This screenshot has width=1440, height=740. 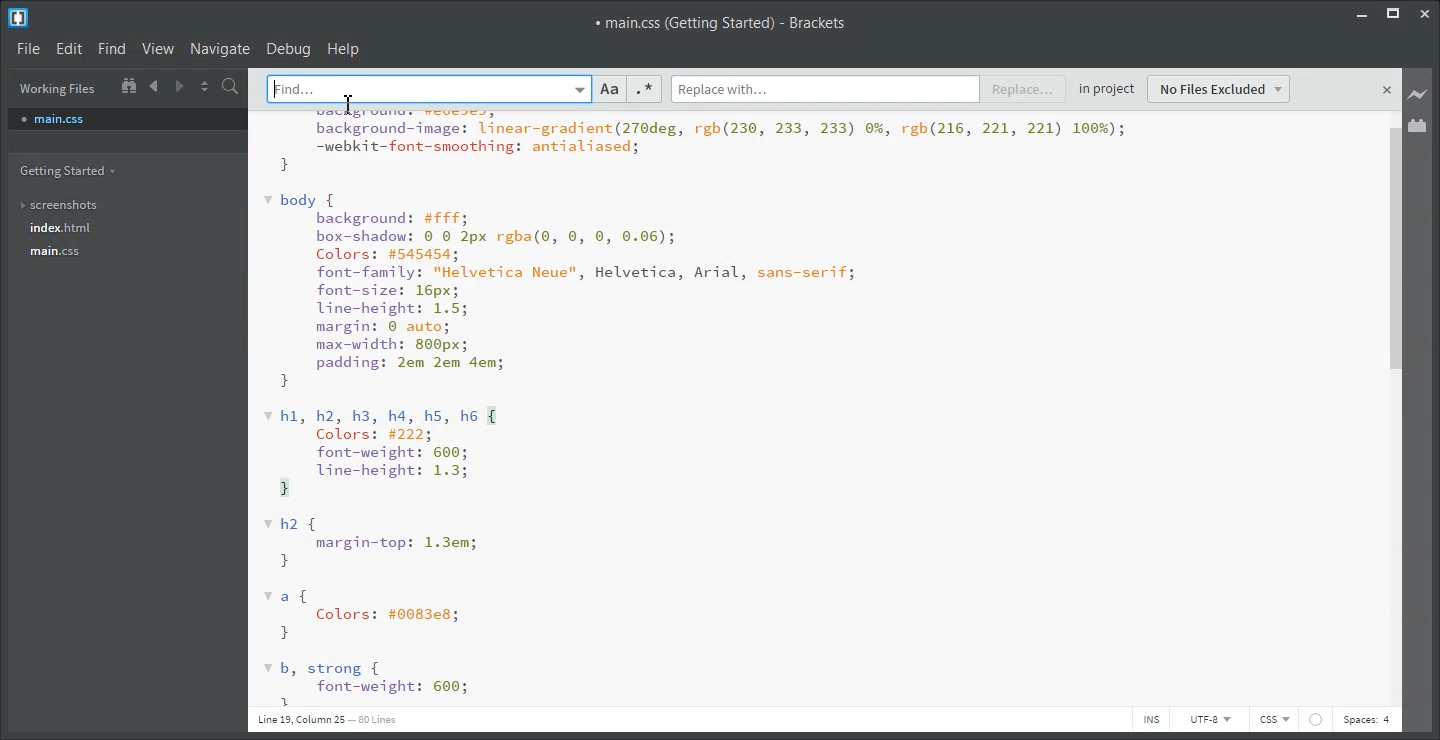 What do you see at coordinates (561, 291) in the screenshot?
I see `body {
background: #fff;
box-shadow: © 8 2px rgba(®, 0, ©, 0.06);
Colors: #545454;
font-family: "Helvetica Neue", Helvetica, Arial, sans-serif;
font-size: 16px;
line-height: 1.5;
margin: © auto;
max-width: 800px;
padding: 2em 2em dem;
}` at bounding box center [561, 291].